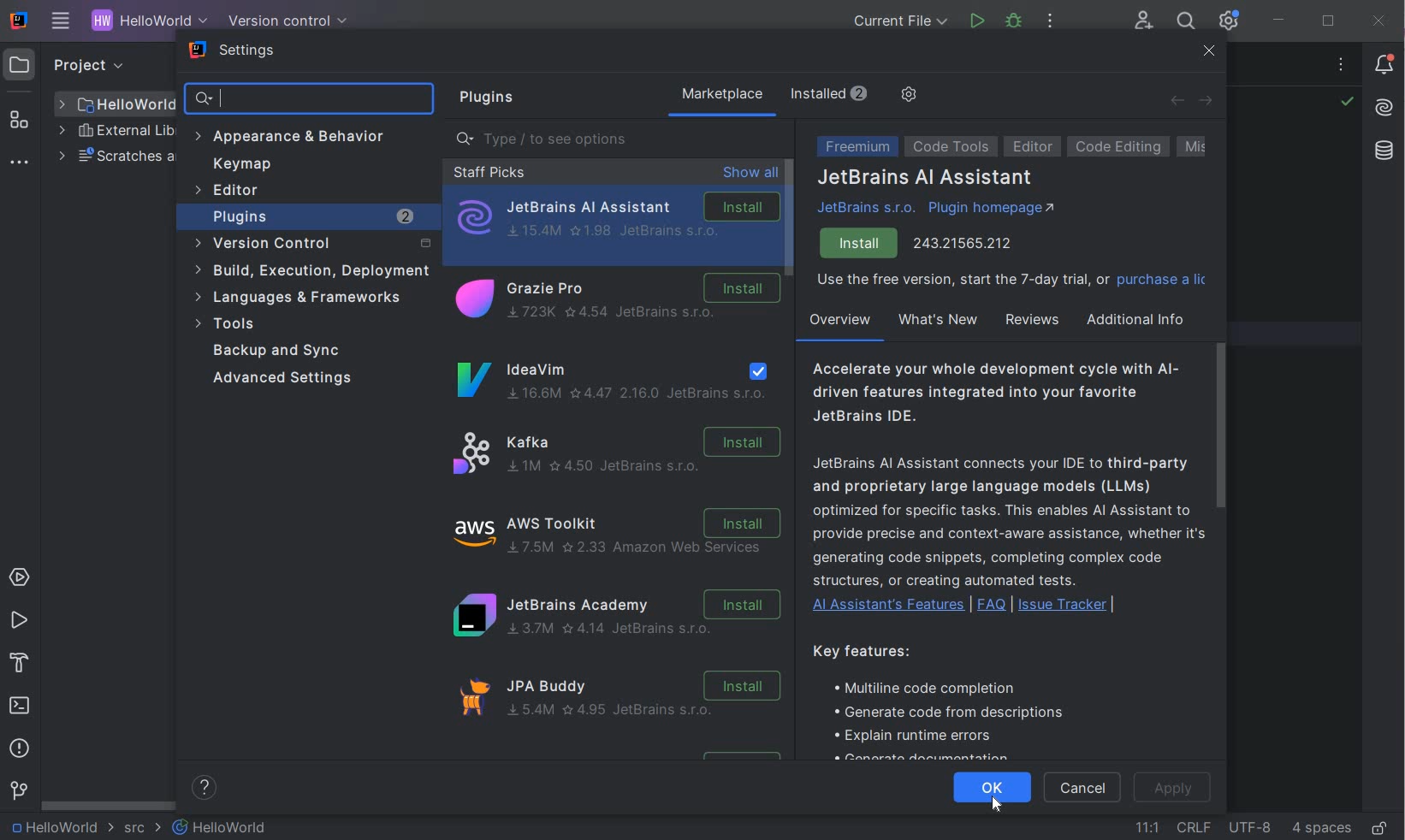  Describe the element at coordinates (1384, 108) in the screenshot. I see `AI Assistant` at that location.